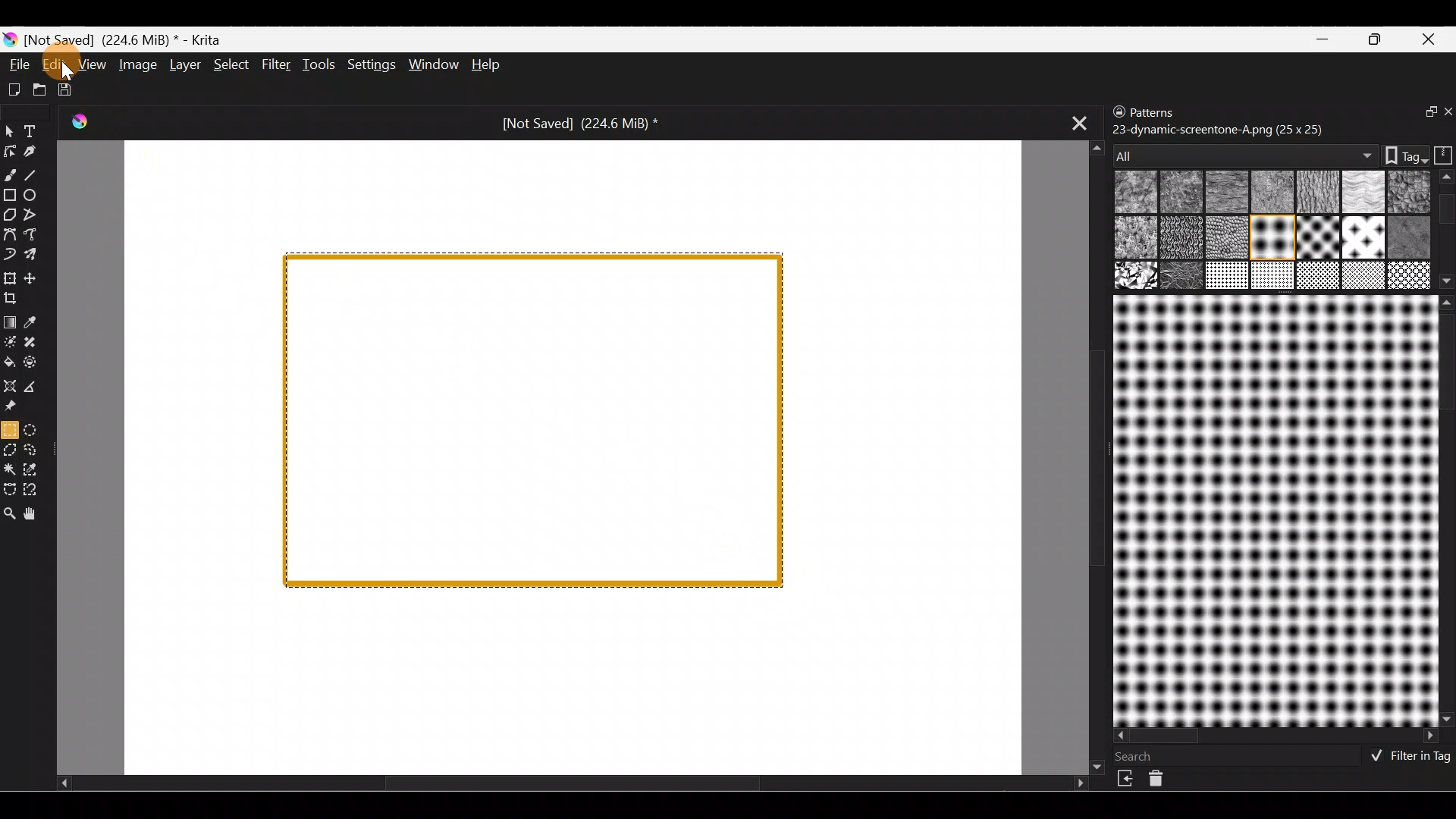 This screenshot has height=819, width=1456. Describe the element at coordinates (1219, 128) in the screenshot. I see `23-dynamic-screentone-A.png (25 x 25)` at that location.